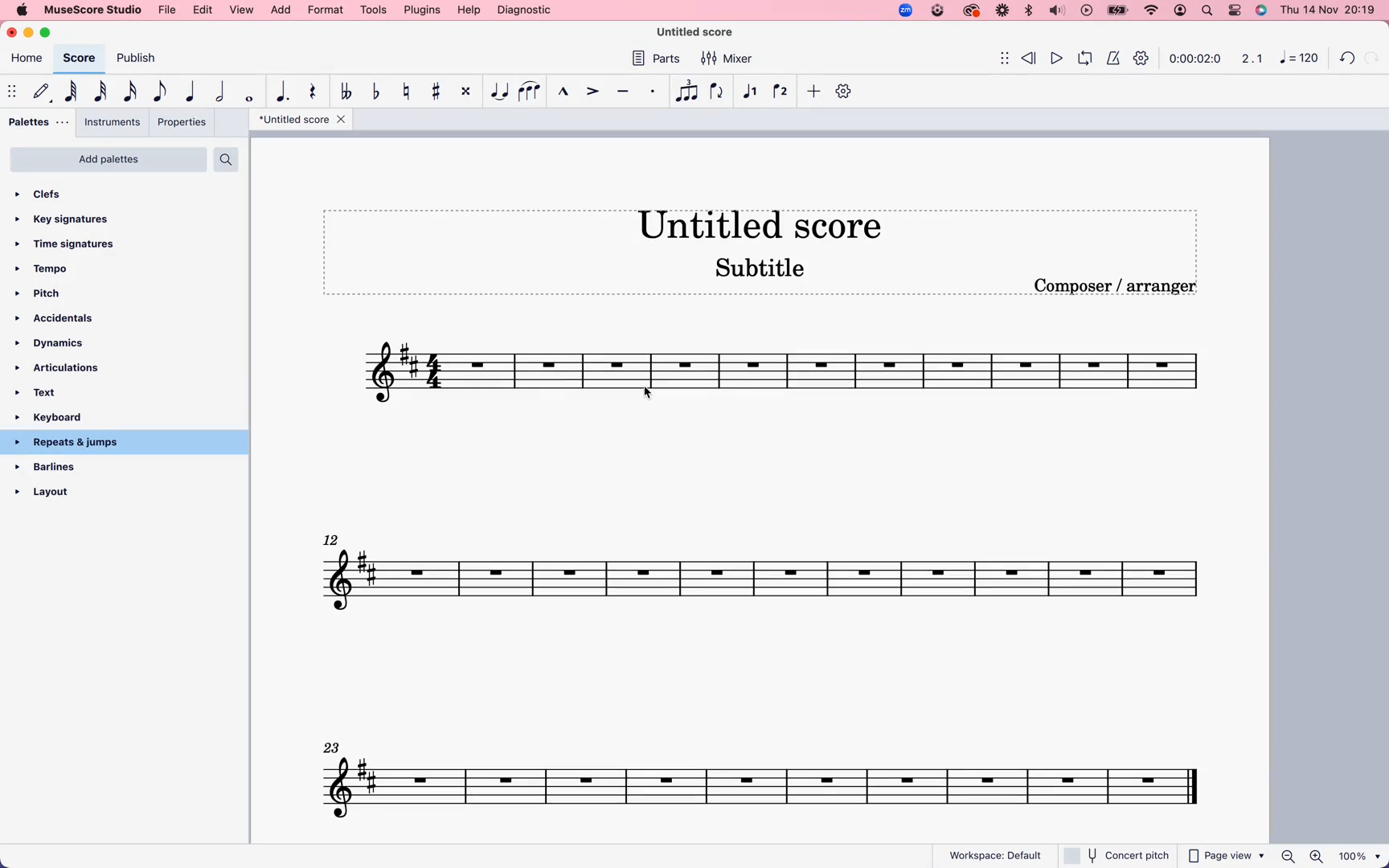 This screenshot has height=868, width=1389. What do you see at coordinates (14, 31) in the screenshot?
I see `close` at bounding box center [14, 31].